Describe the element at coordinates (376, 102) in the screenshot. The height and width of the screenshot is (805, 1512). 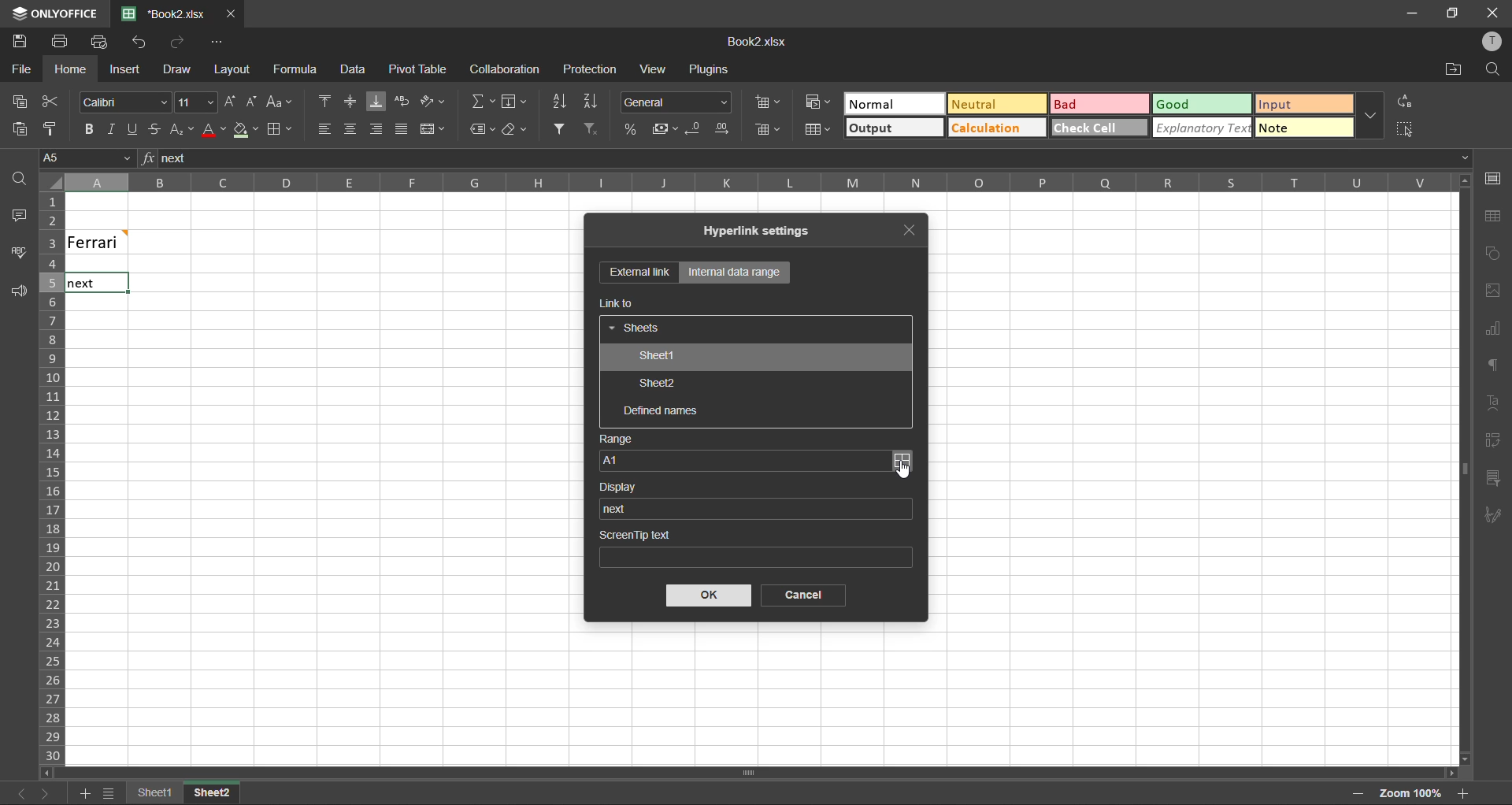
I see `align bottom` at that location.